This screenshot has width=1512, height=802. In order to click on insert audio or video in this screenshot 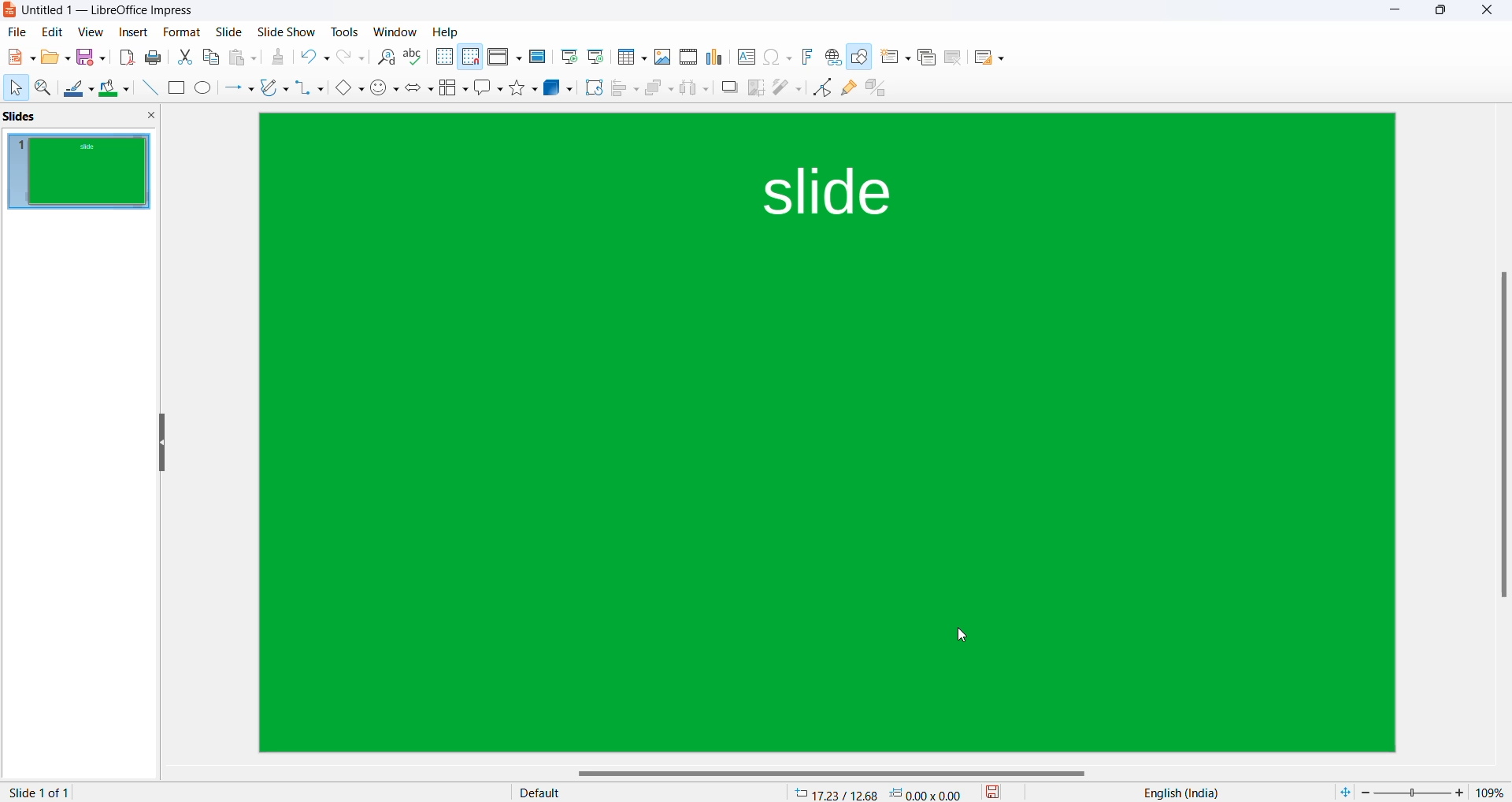, I will do `click(687, 58)`.